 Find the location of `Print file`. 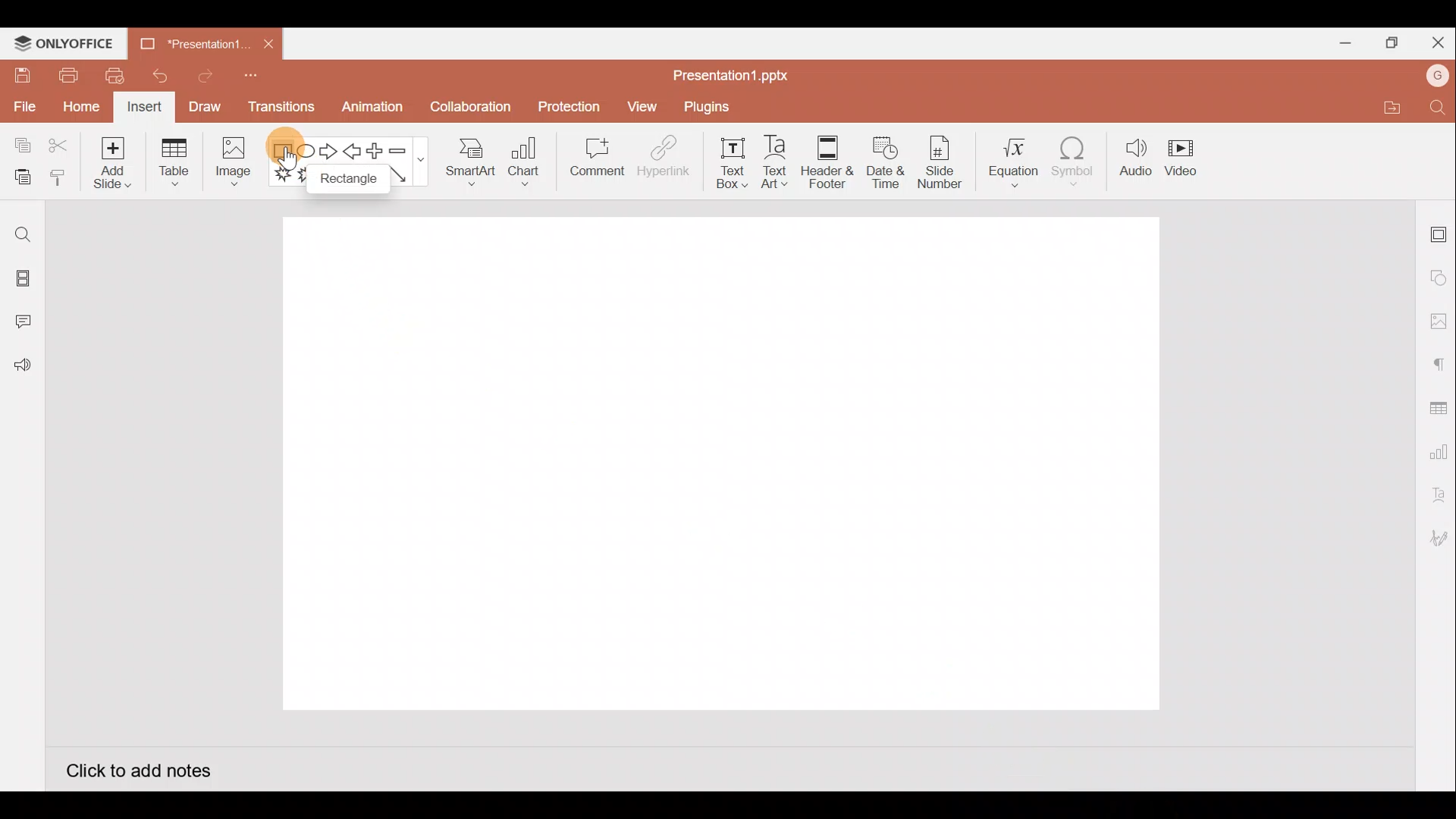

Print file is located at coordinates (67, 74).